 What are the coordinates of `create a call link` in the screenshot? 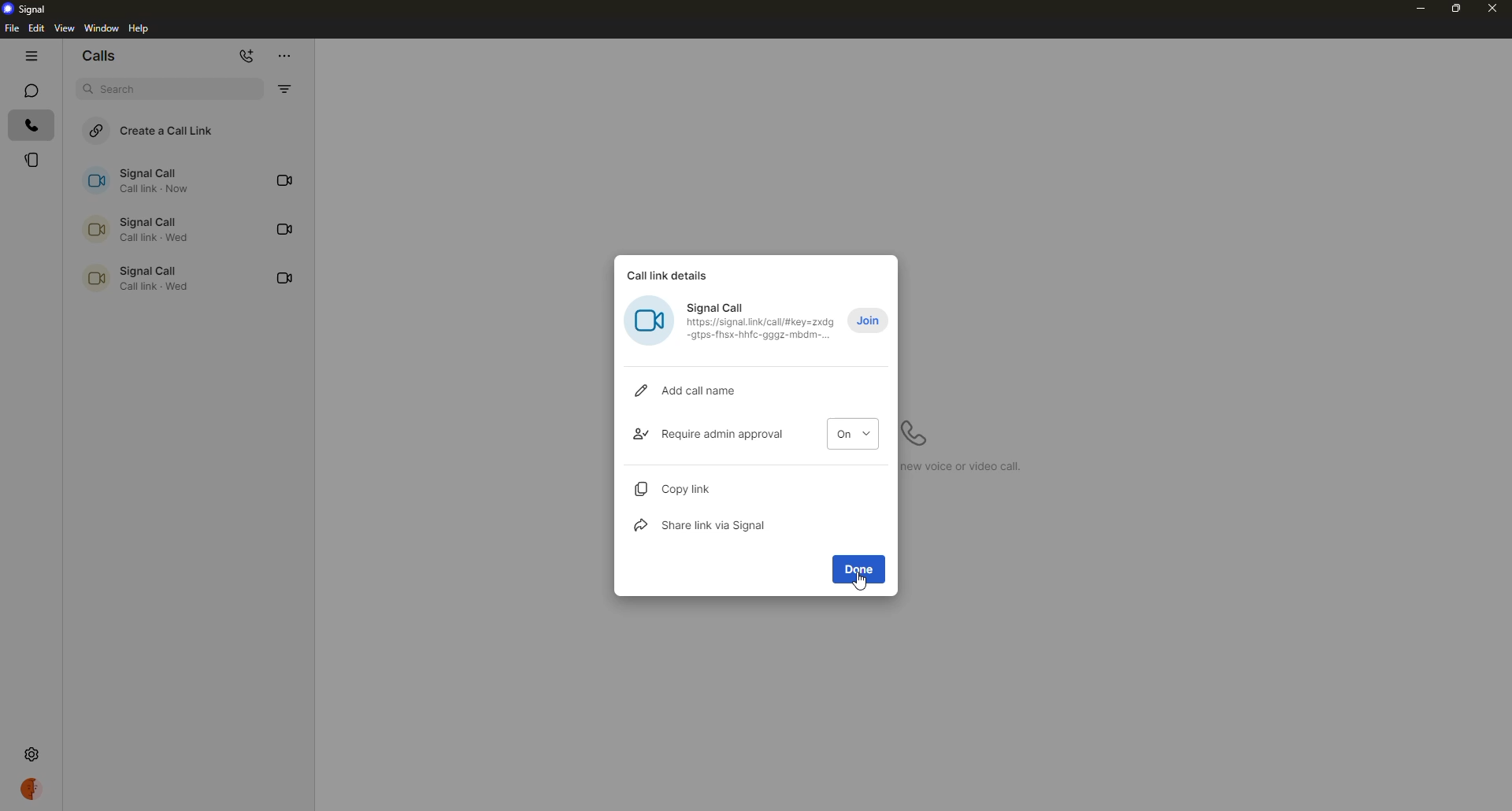 It's located at (162, 131).